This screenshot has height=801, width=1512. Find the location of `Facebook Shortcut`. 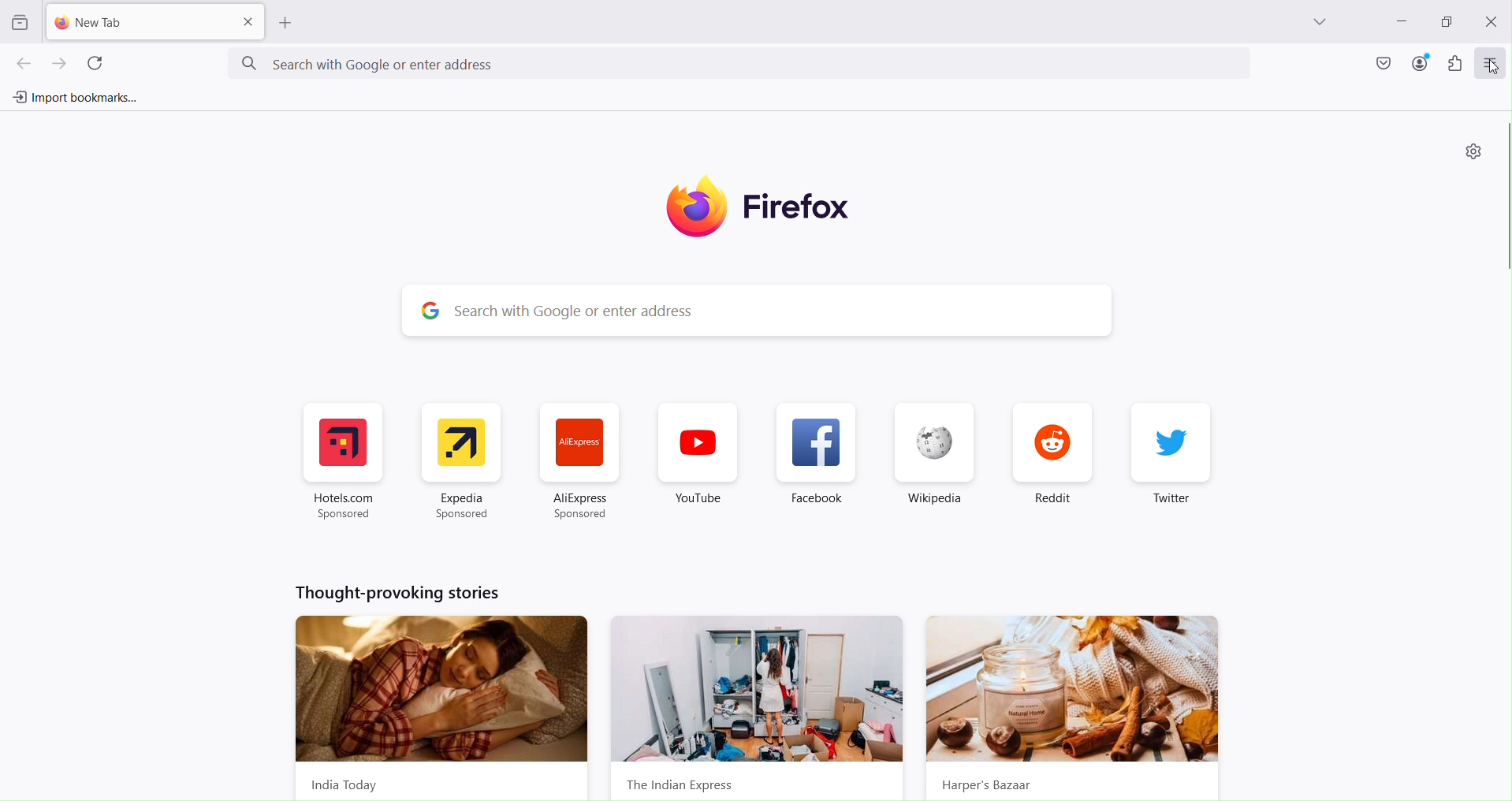

Facebook Shortcut is located at coordinates (819, 464).